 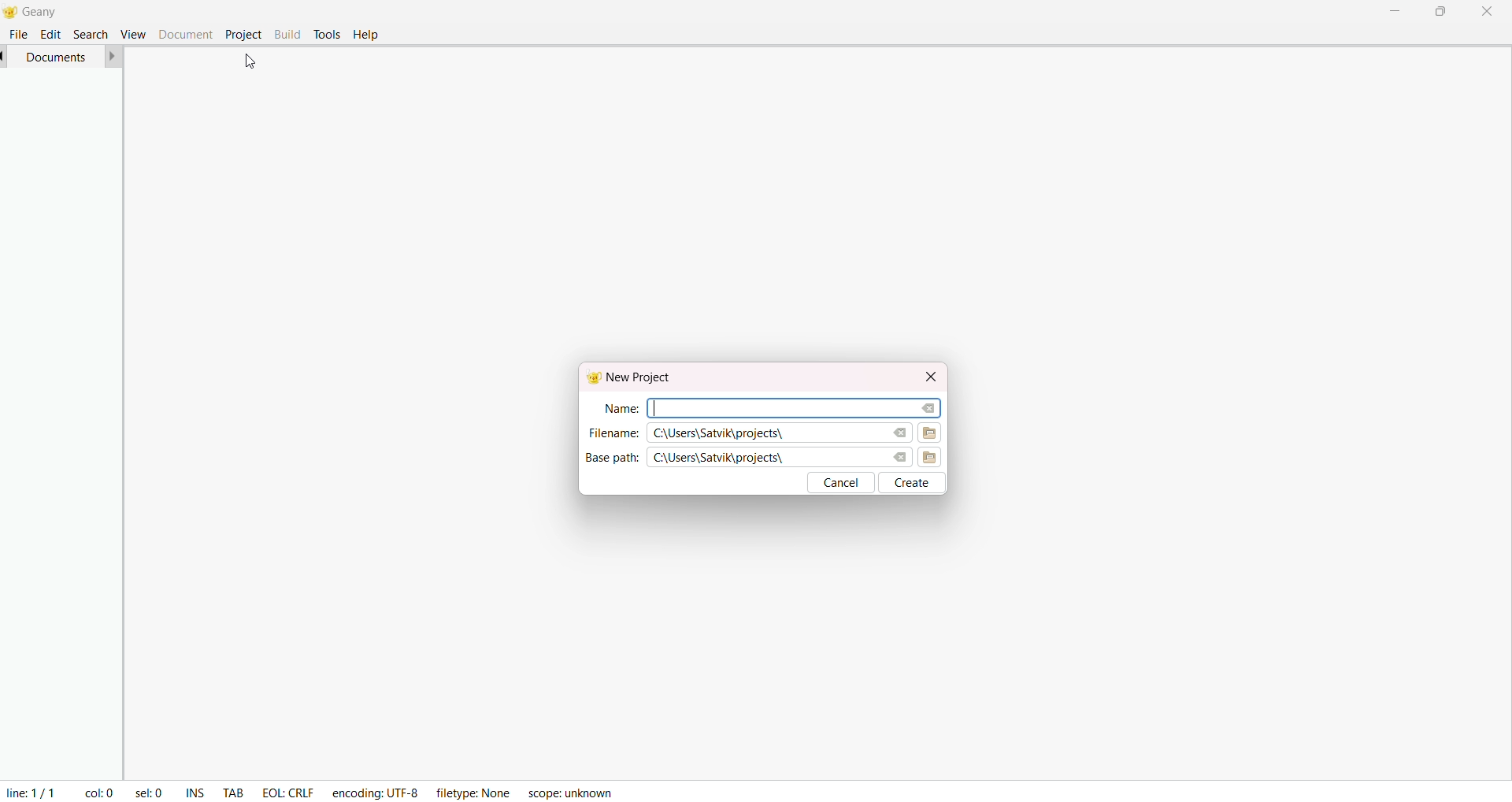 I want to click on encoding: UTF-8, so click(x=376, y=790).